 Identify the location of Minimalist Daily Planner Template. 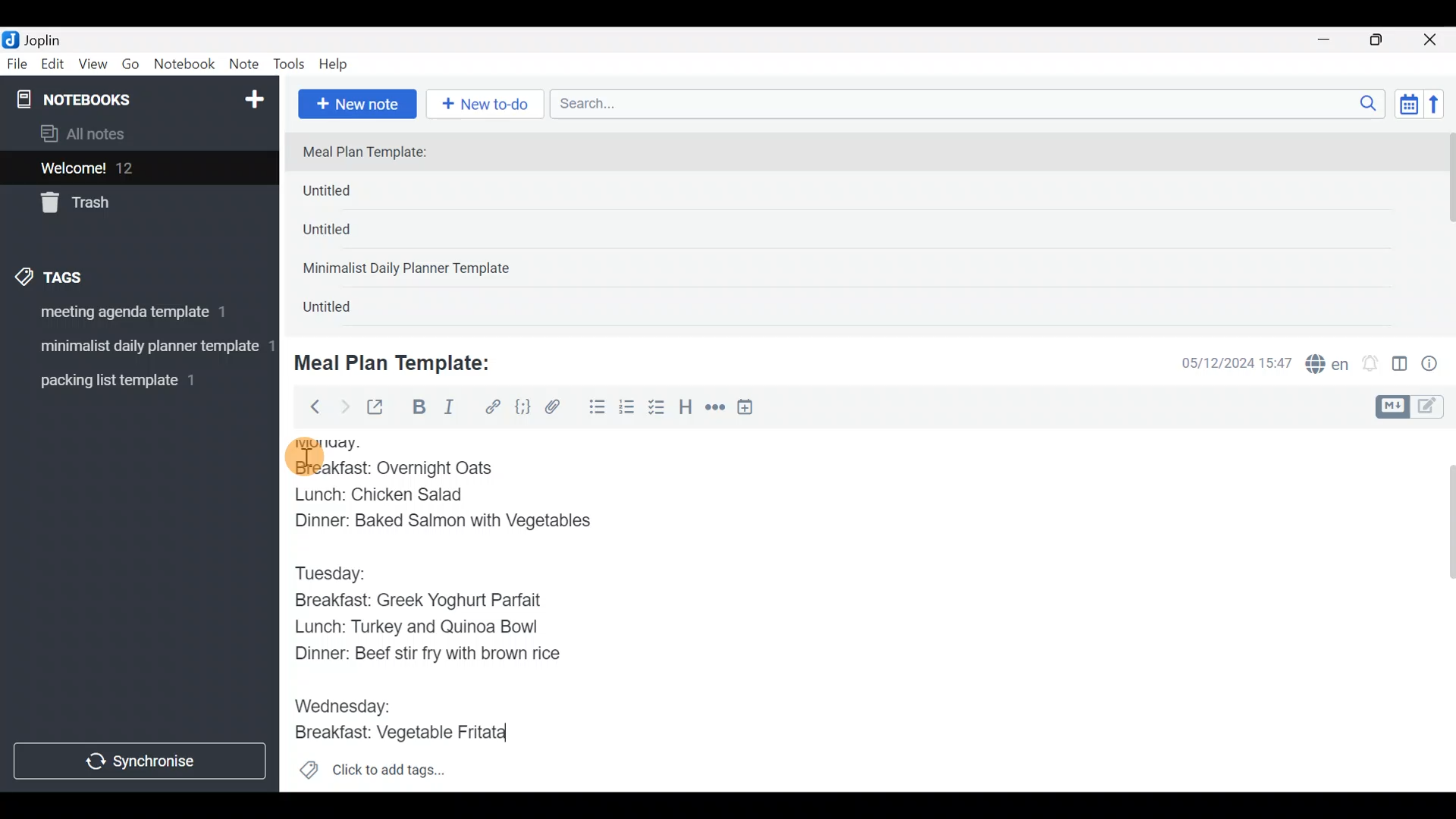
(411, 270).